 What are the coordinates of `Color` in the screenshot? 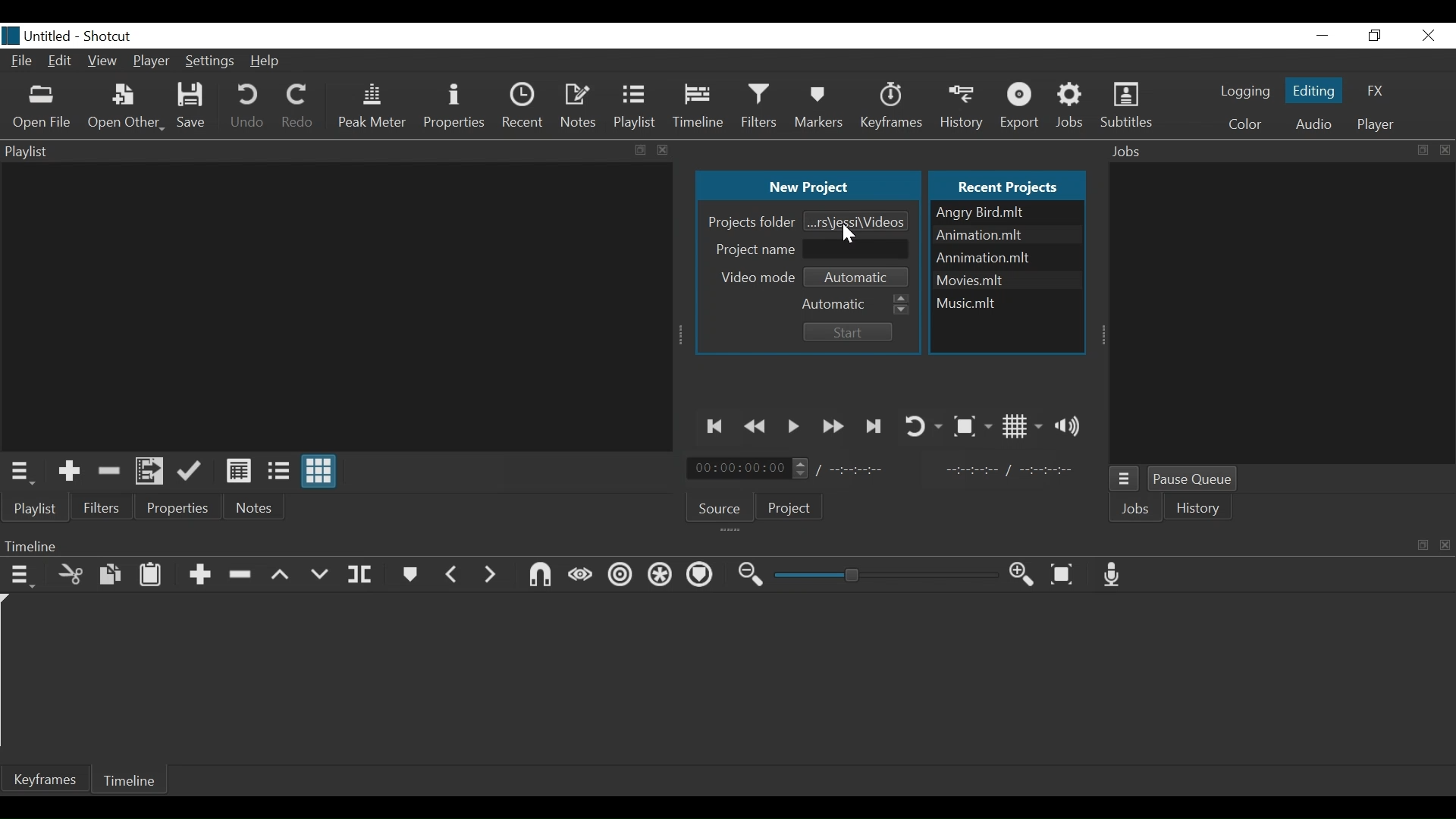 It's located at (1245, 124).